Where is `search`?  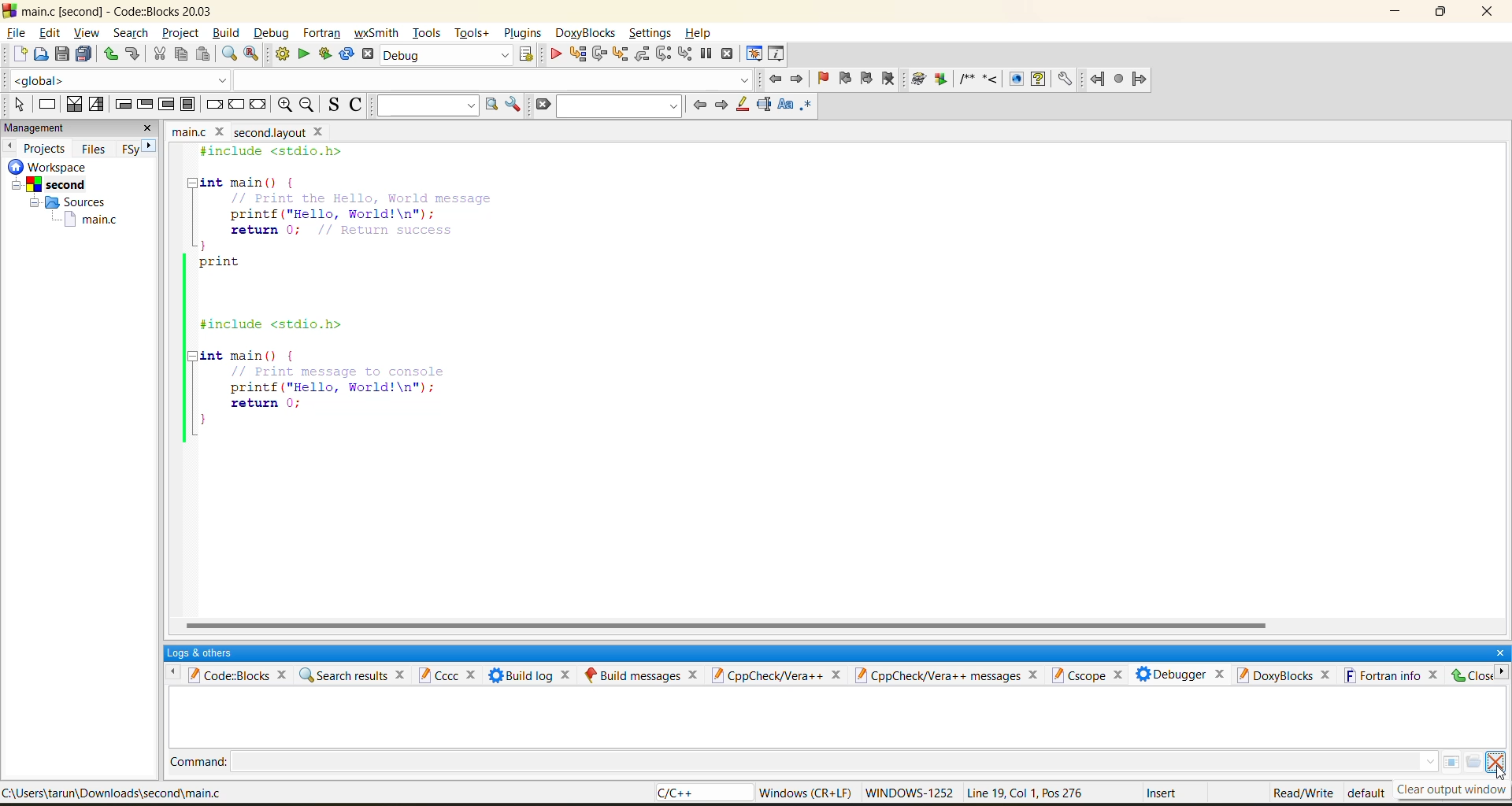 search is located at coordinates (619, 108).